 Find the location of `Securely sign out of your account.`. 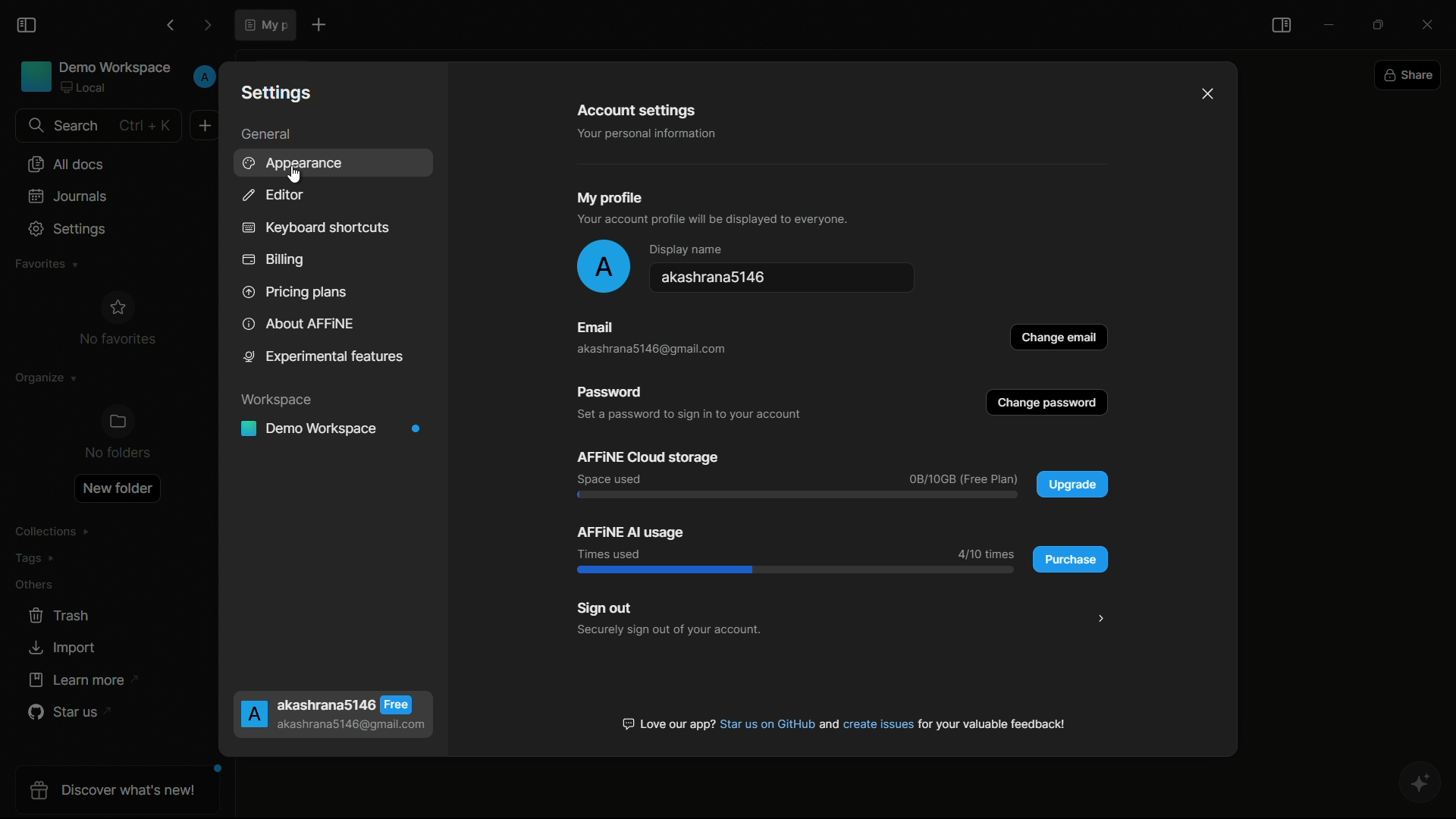

Securely sign out of your account. is located at coordinates (669, 629).